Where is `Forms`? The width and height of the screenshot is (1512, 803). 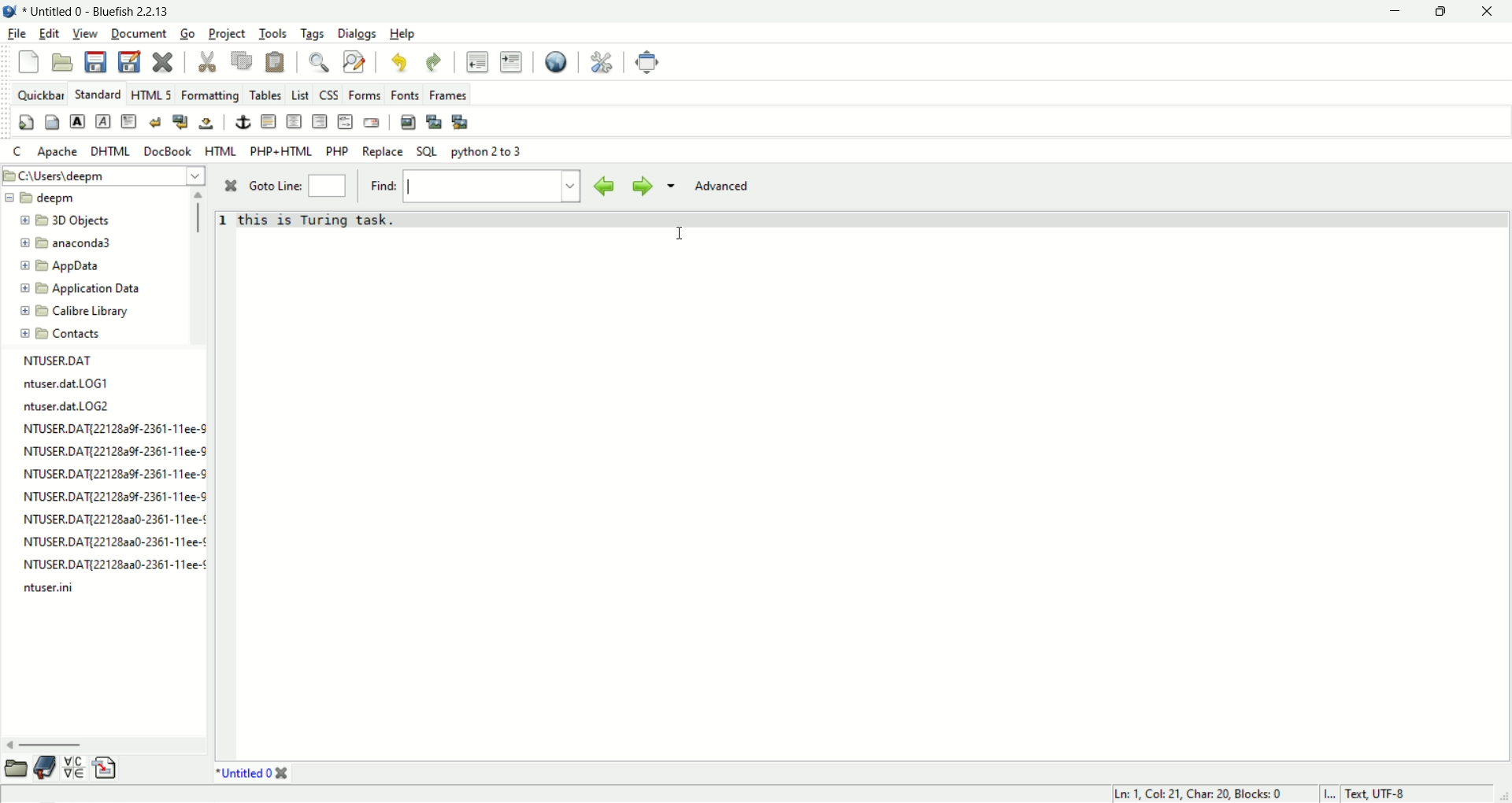
Forms is located at coordinates (365, 95).